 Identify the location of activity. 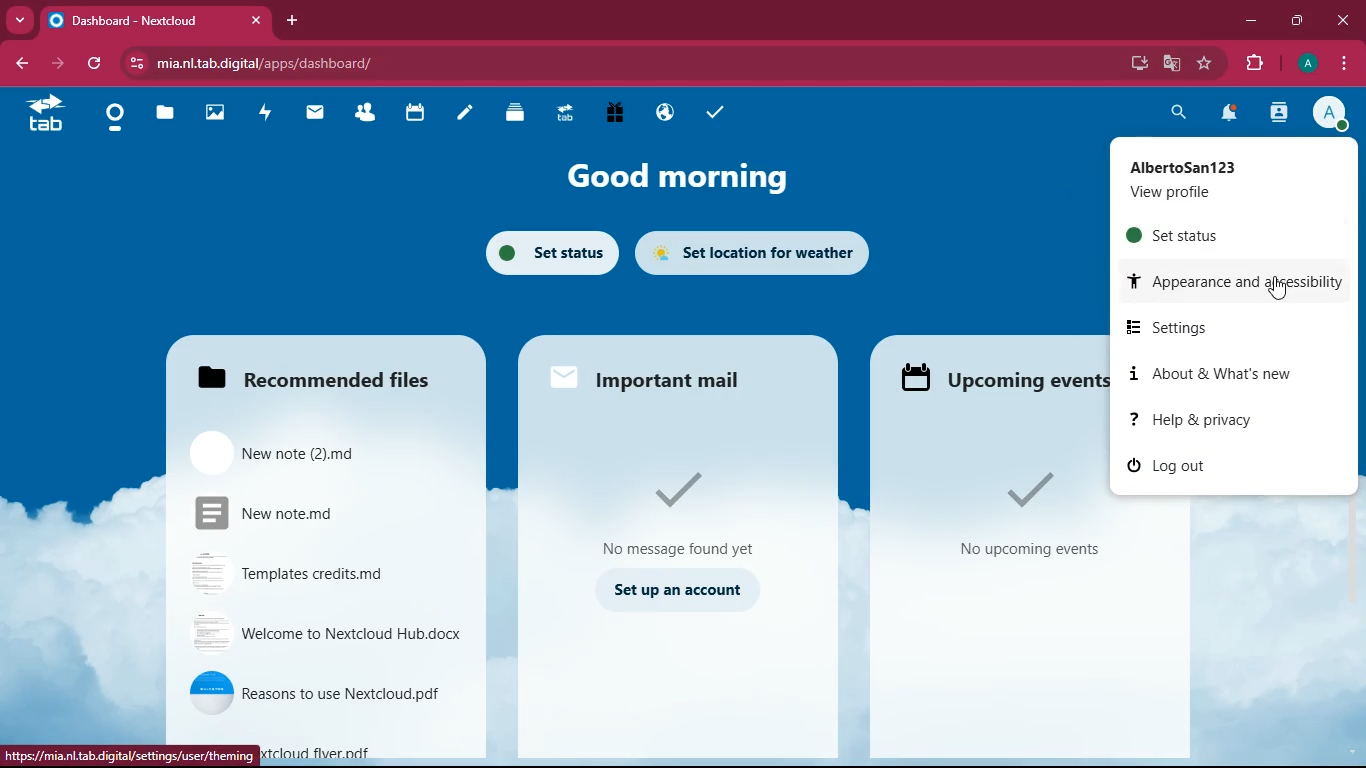
(1277, 115).